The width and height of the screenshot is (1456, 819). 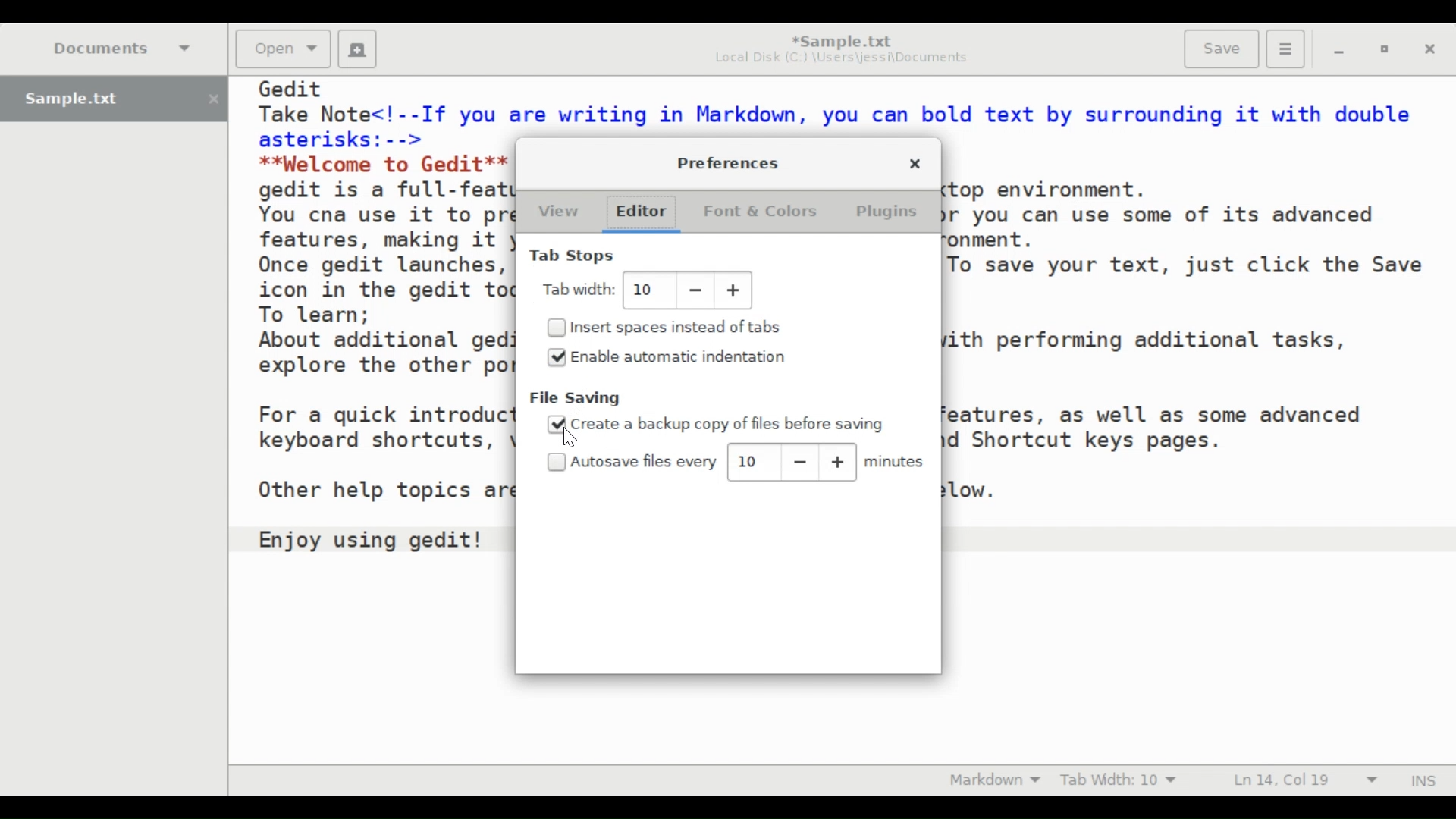 I want to click on increase , so click(x=734, y=291).